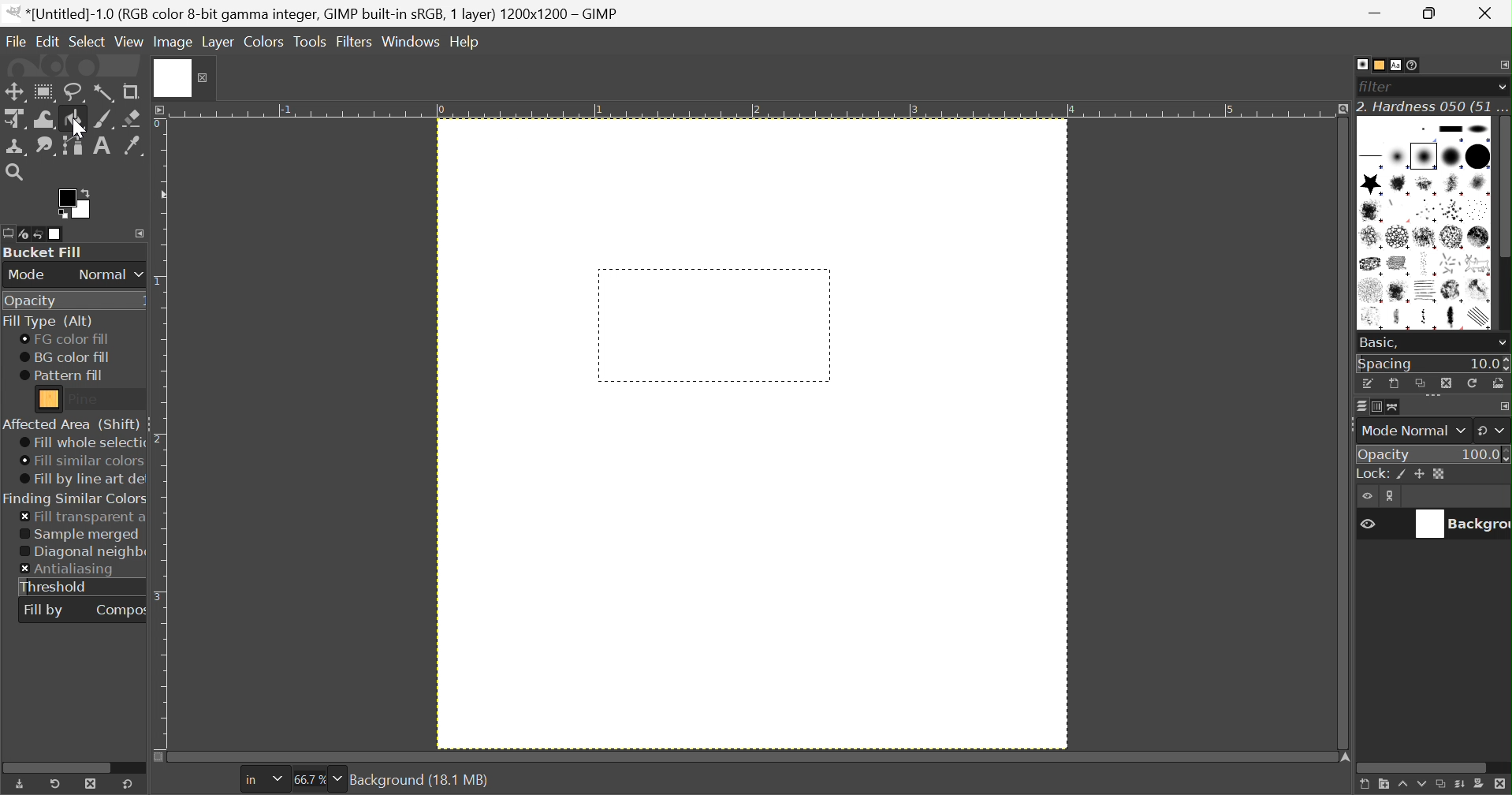  Describe the element at coordinates (161, 595) in the screenshot. I see `3` at that location.